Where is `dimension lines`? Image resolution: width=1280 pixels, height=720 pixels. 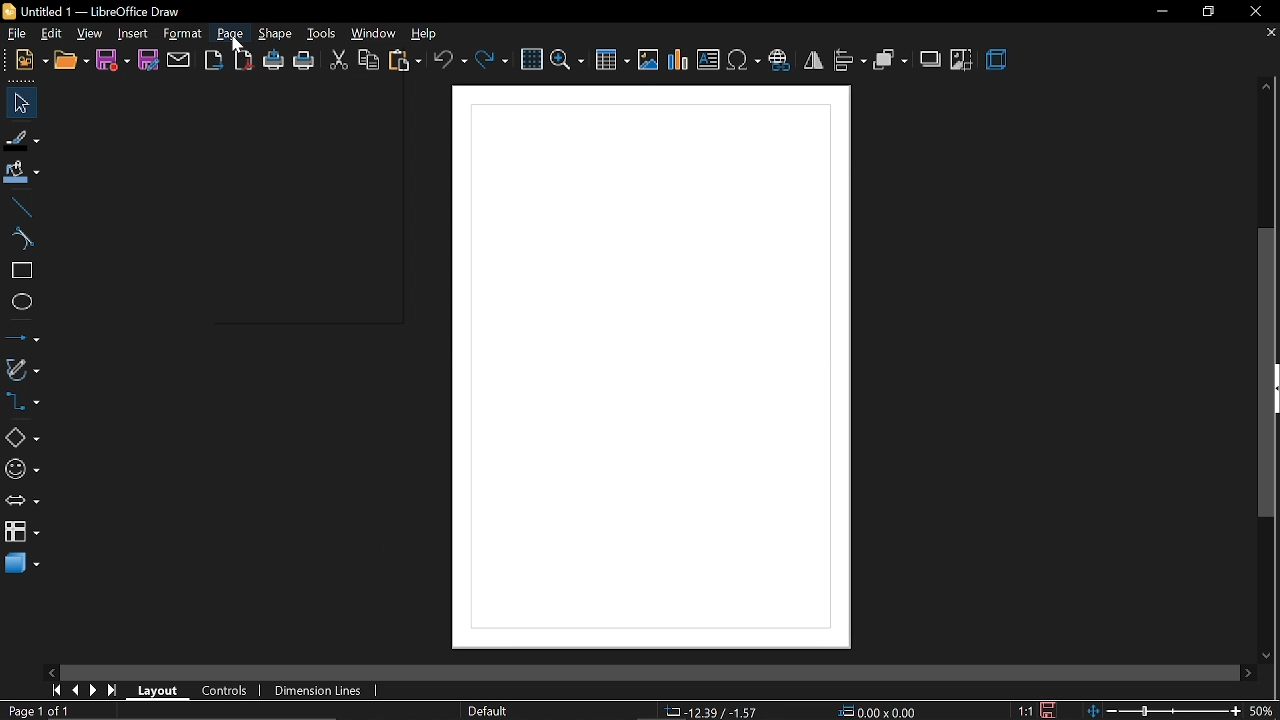
dimension lines is located at coordinates (316, 690).